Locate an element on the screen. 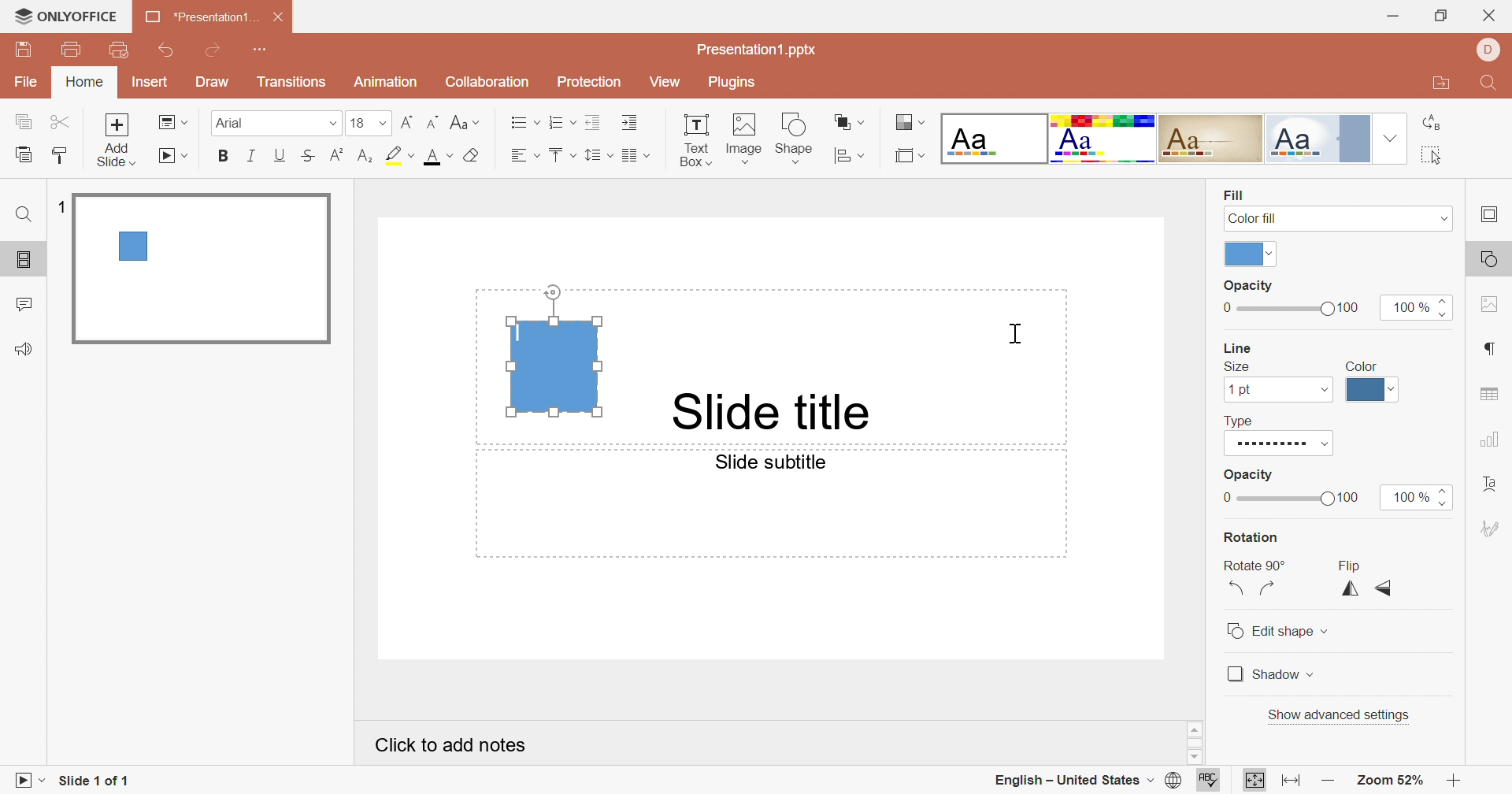 The image size is (1512, 794). comments is located at coordinates (28, 303).